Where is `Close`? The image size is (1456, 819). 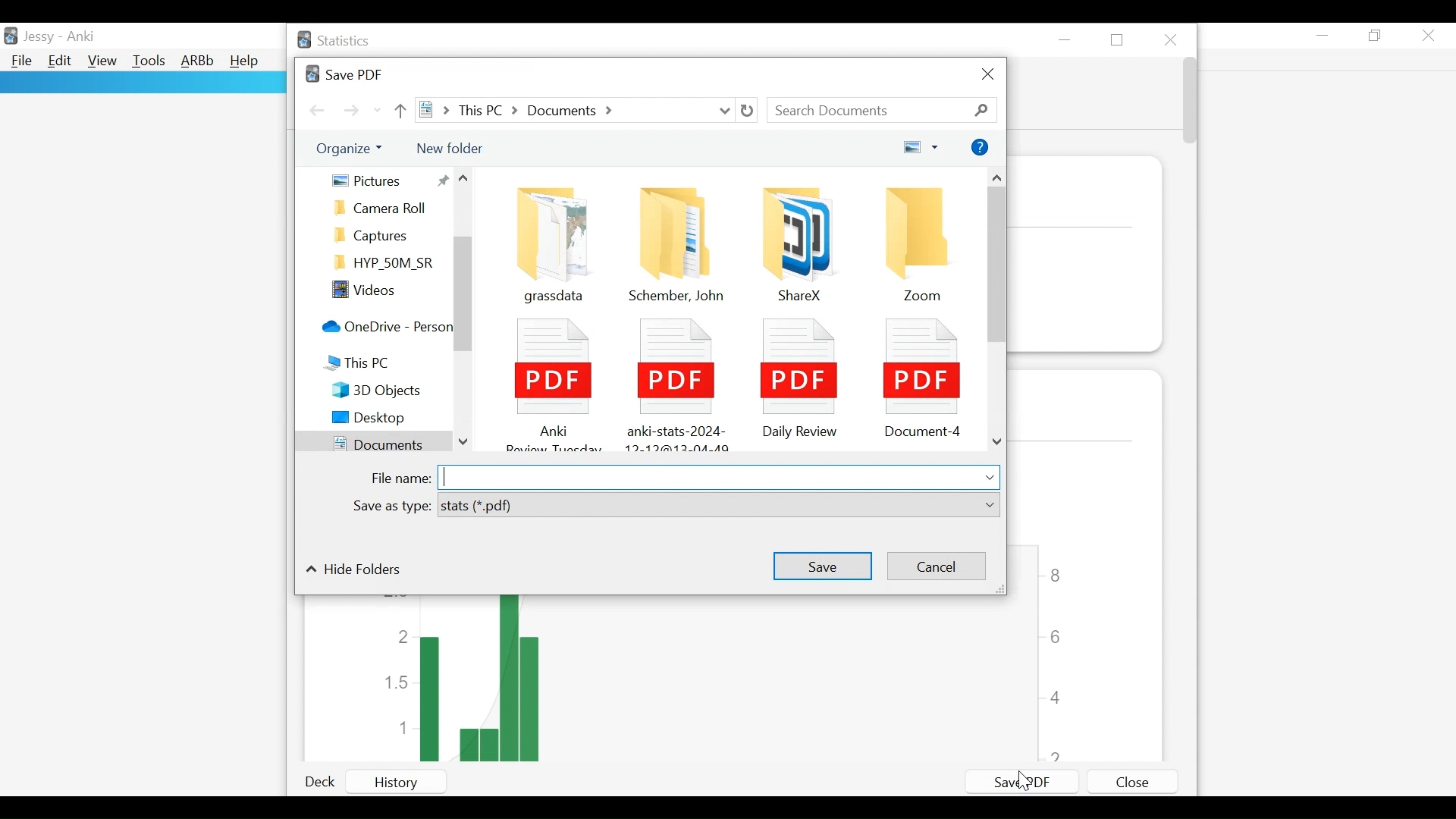
Close is located at coordinates (987, 76).